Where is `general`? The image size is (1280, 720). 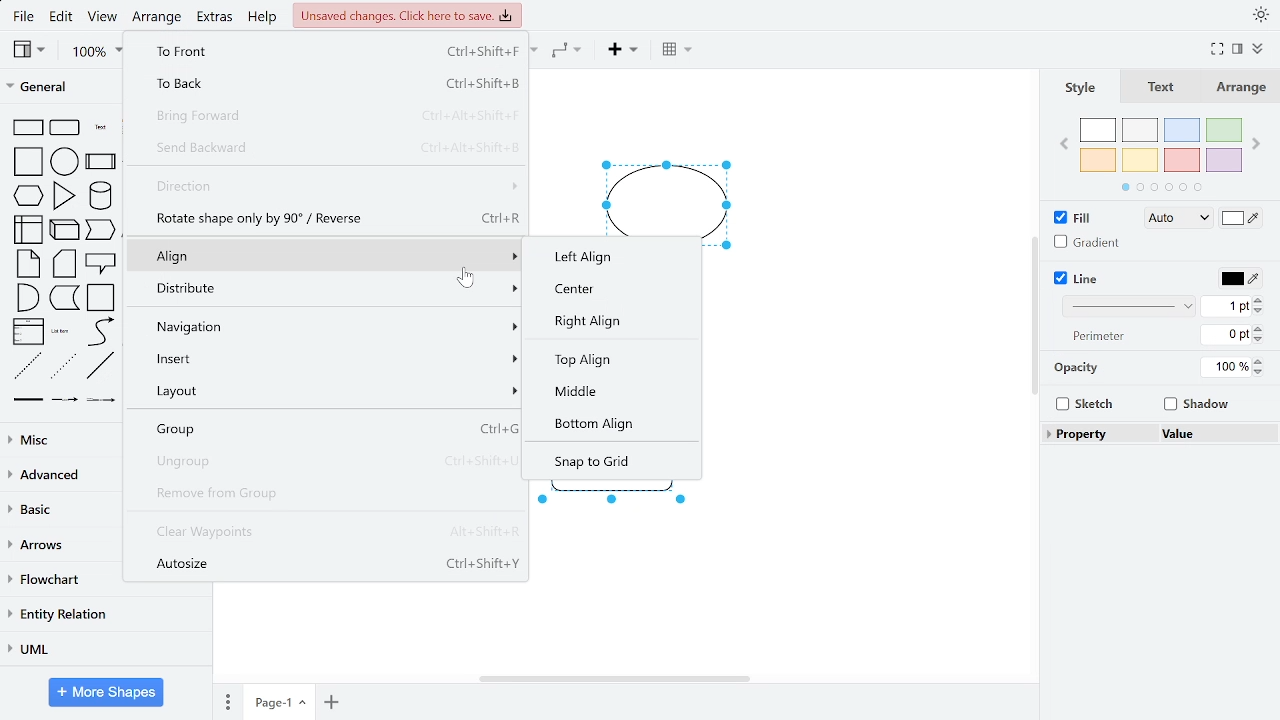
general is located at coordinates (62, 88).